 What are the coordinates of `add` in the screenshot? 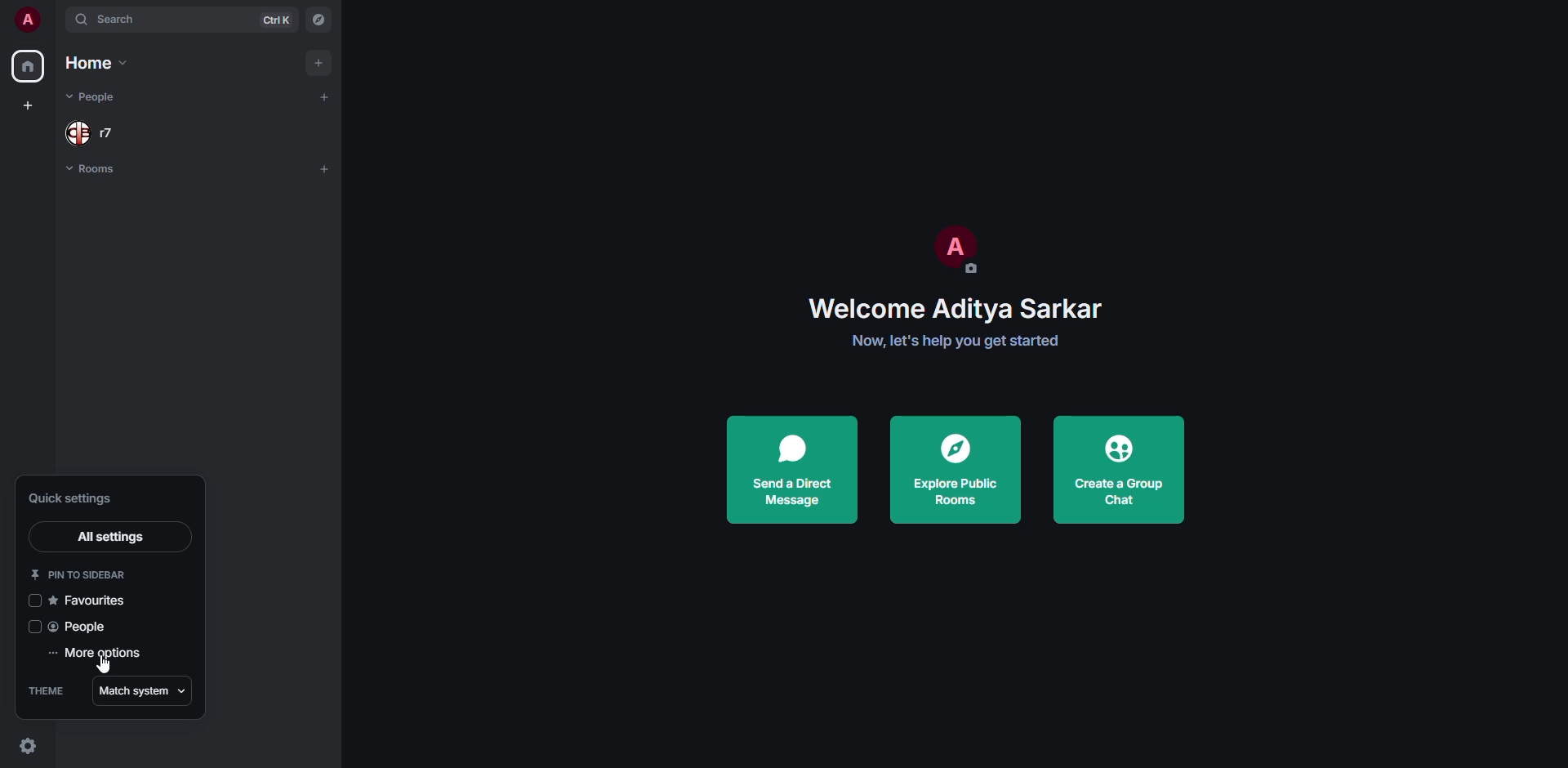 It's located at (325, 95).